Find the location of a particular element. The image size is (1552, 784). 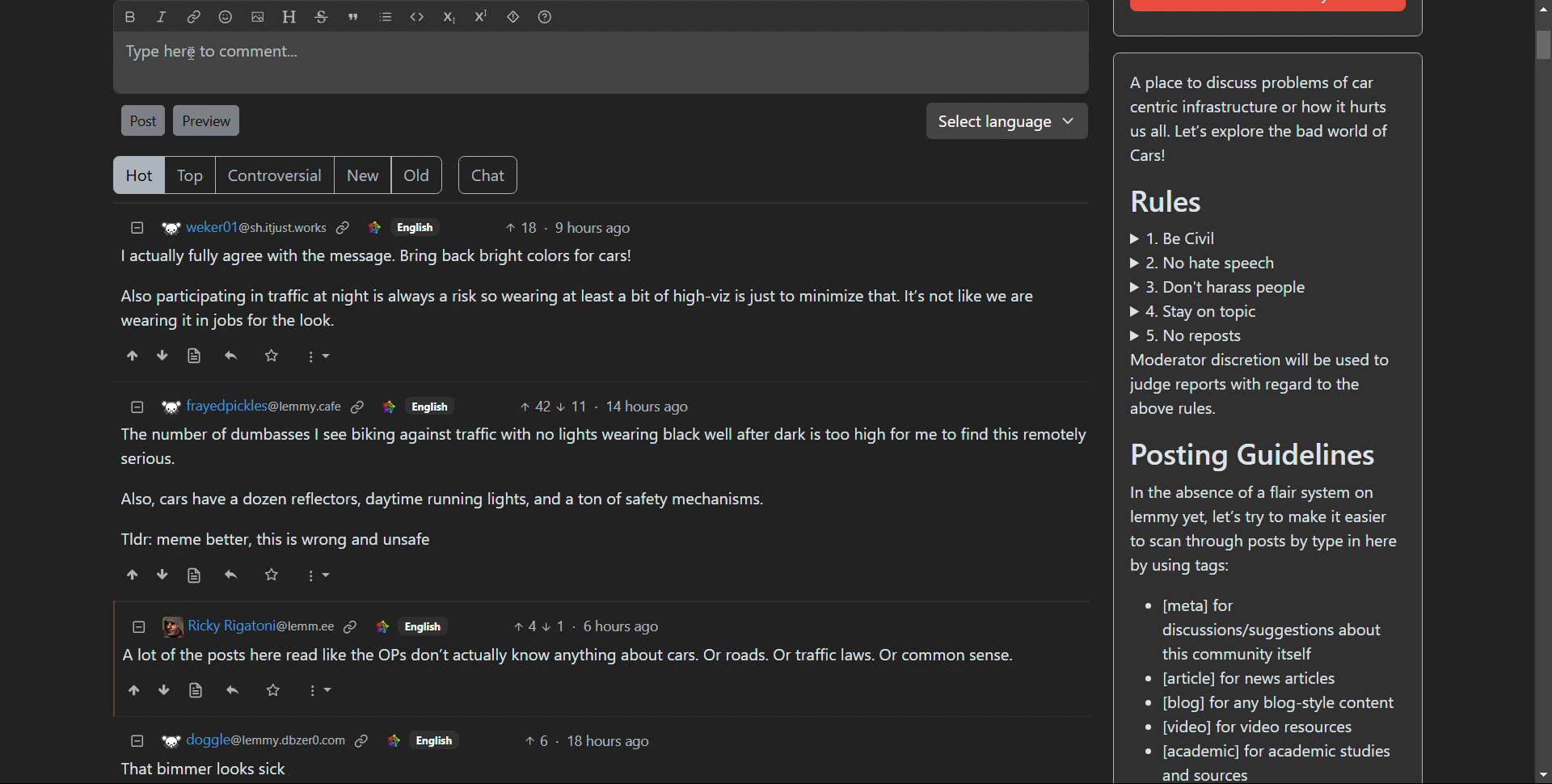

More is located at coordinates (318, 575).